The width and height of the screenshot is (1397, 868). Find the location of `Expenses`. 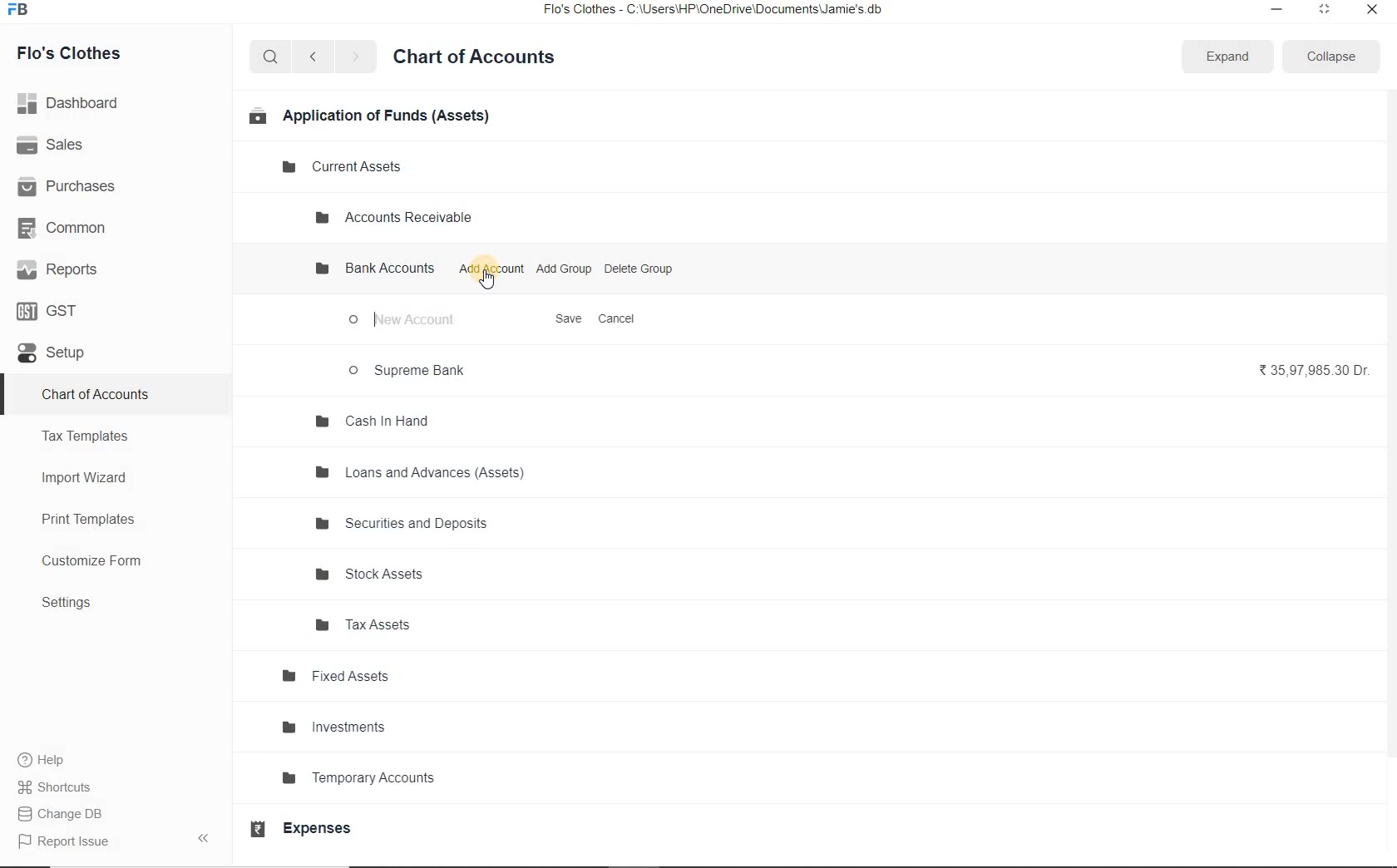

Expenses is located at coordinates (320, 828).